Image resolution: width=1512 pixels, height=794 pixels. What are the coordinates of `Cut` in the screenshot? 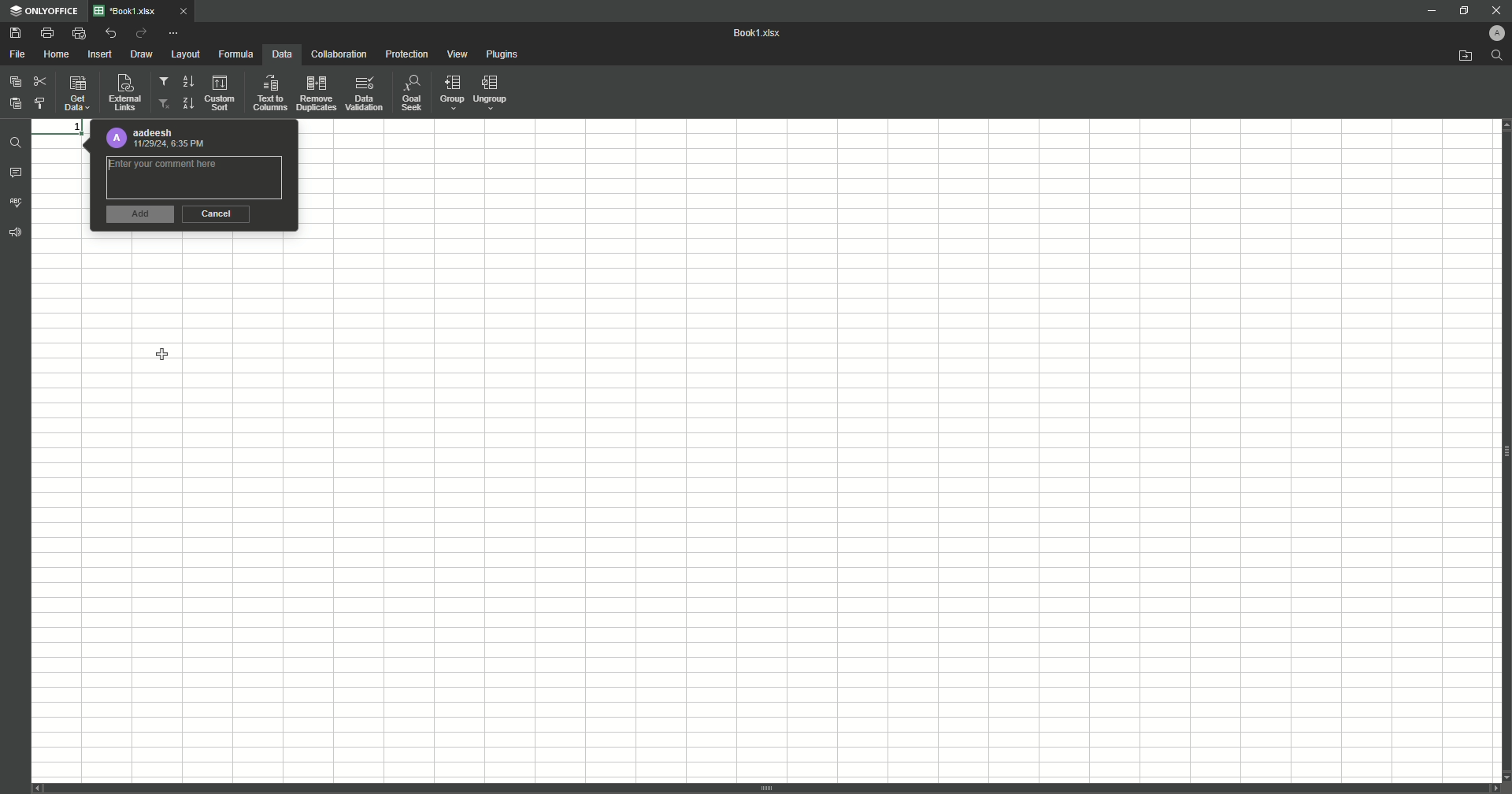 It's located at (39, 79).